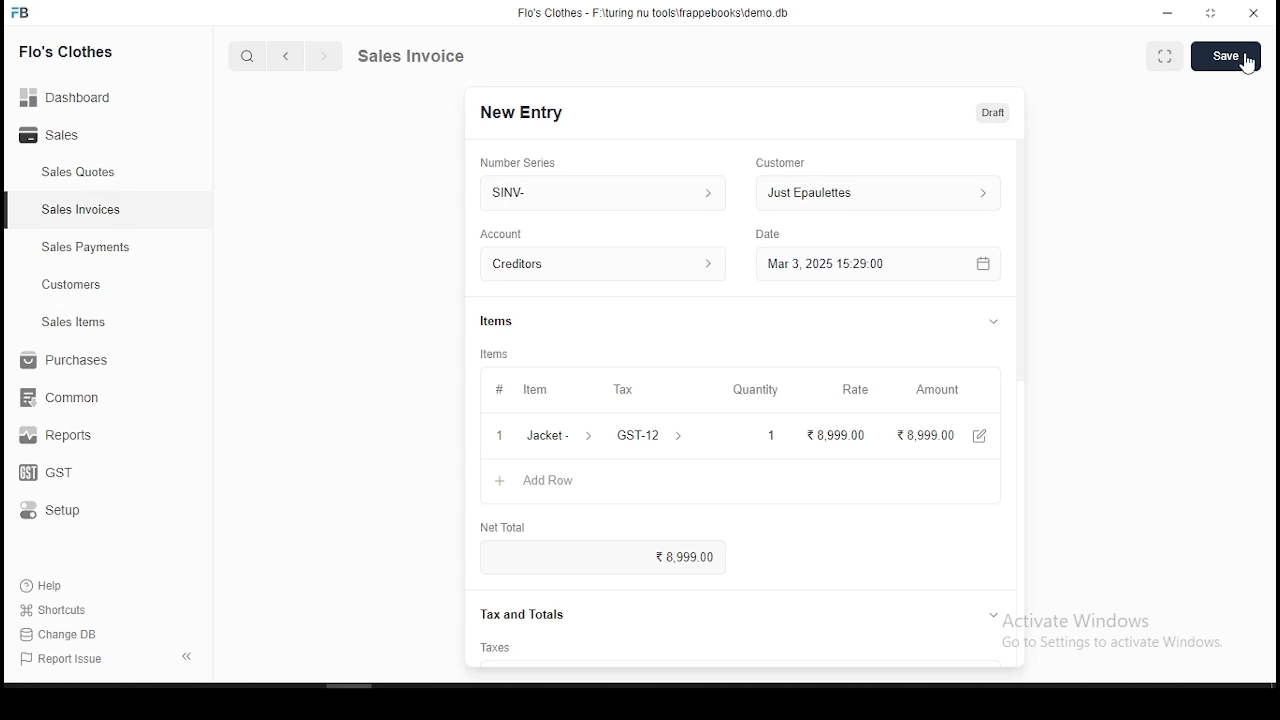  Describe the element at coordinates (787, 158) in the screenshot. I see `customer` at that location.